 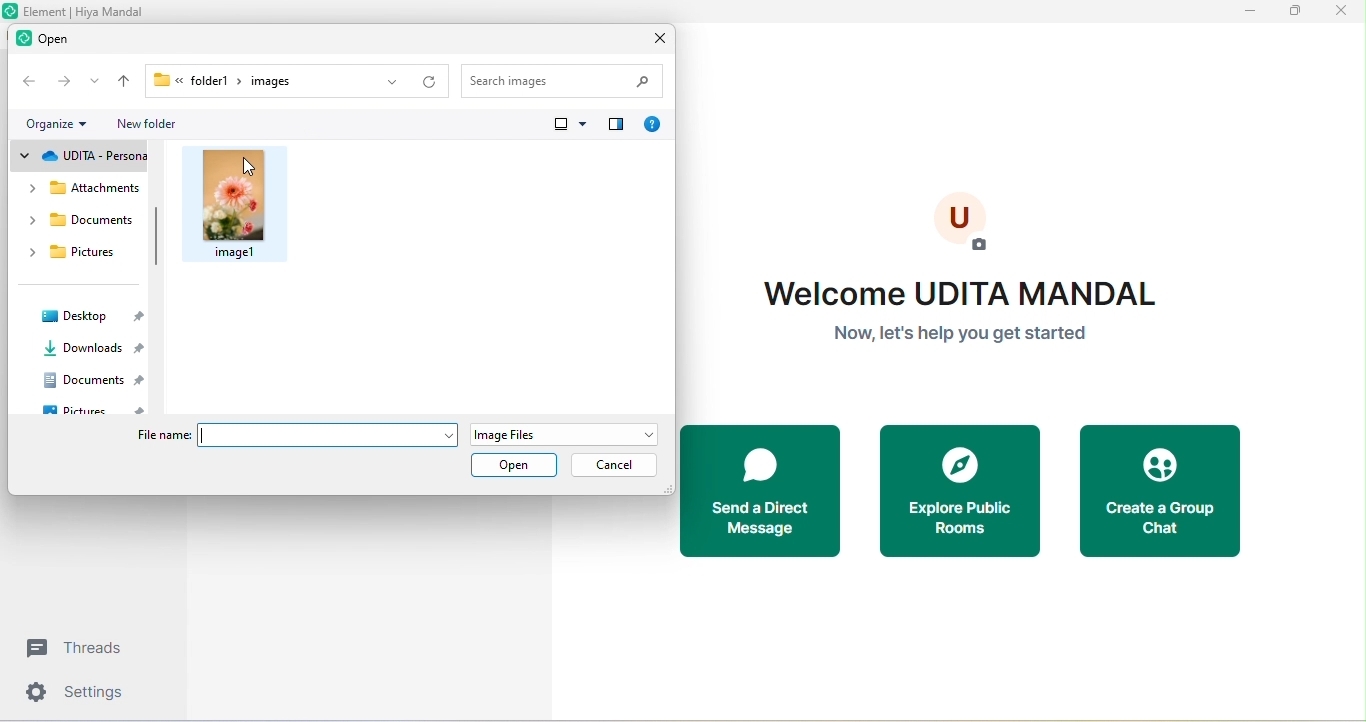 What do you see at coordinates (25, 82) in the screenshot?
I see `back` at bounding box center [25, 82].